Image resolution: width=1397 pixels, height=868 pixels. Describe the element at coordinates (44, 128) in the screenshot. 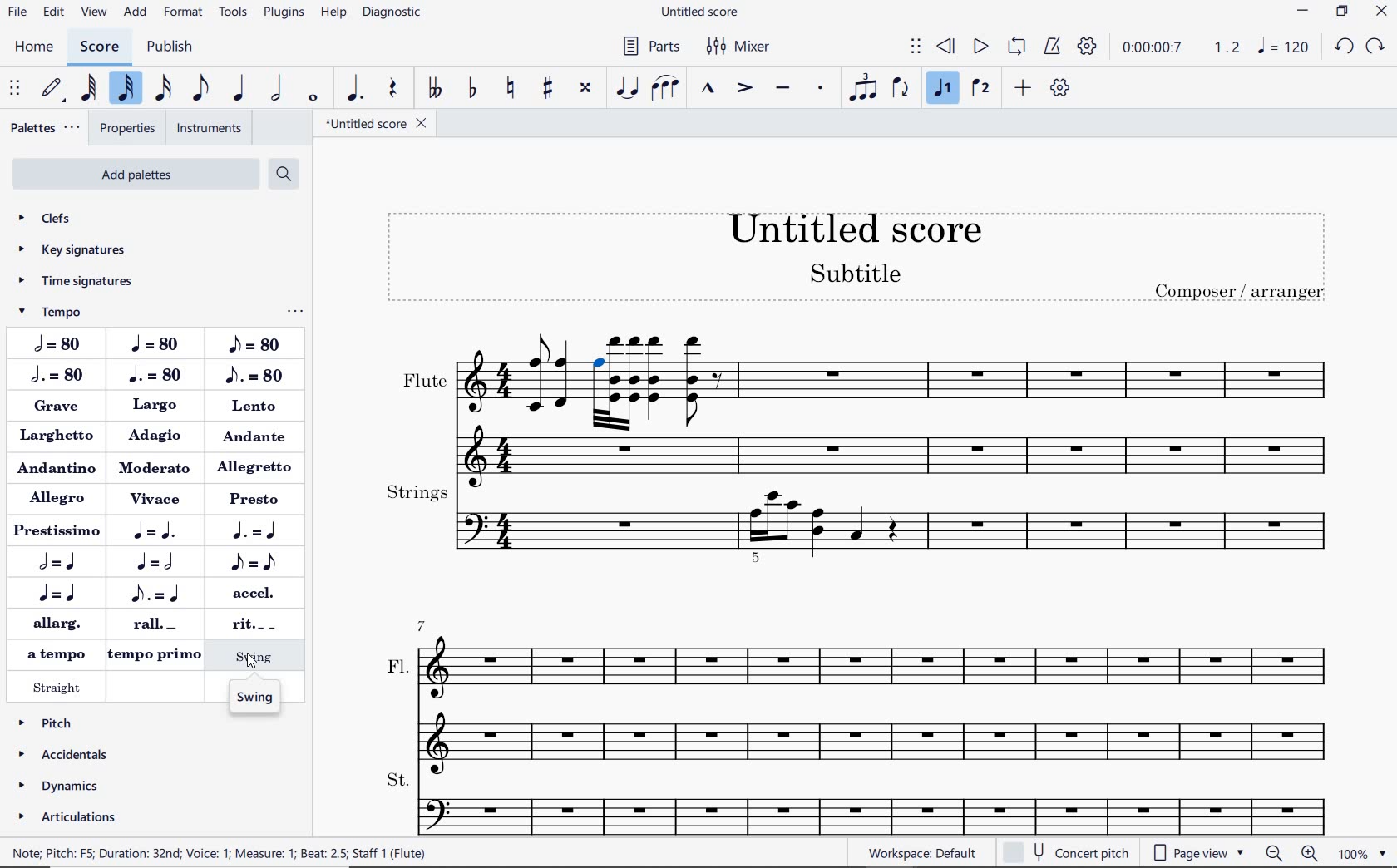

I see `palettes` at that location.